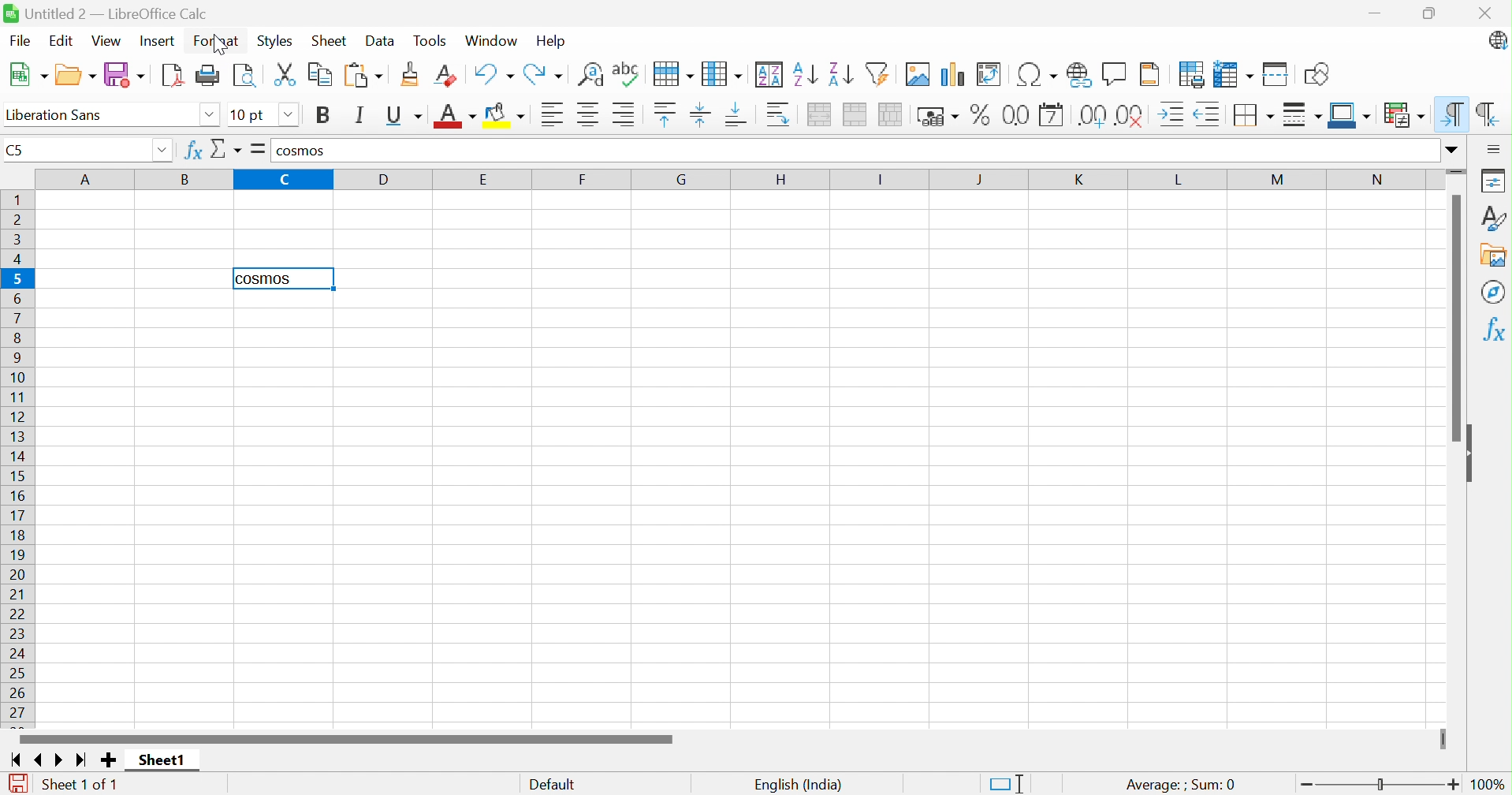  I want to click on Insert special characters, so click(1037, 74).